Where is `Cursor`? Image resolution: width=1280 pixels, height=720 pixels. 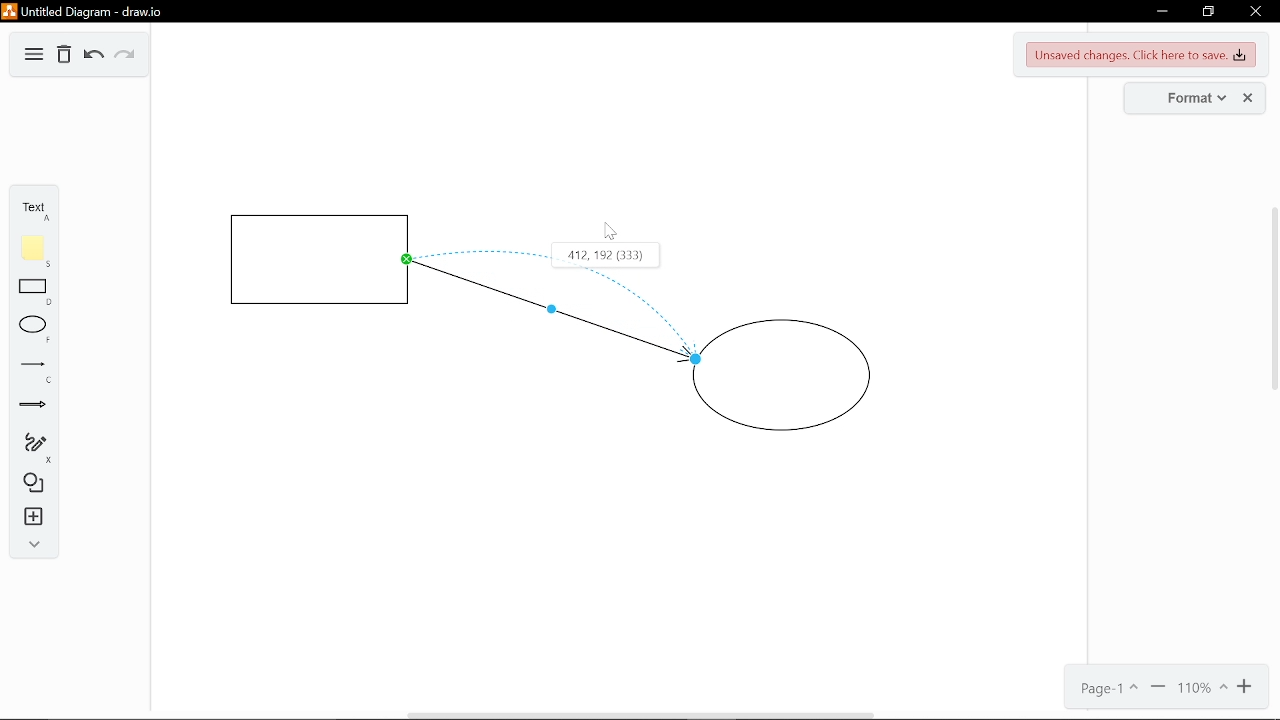 Cursor is located at coordinates (611, 230).